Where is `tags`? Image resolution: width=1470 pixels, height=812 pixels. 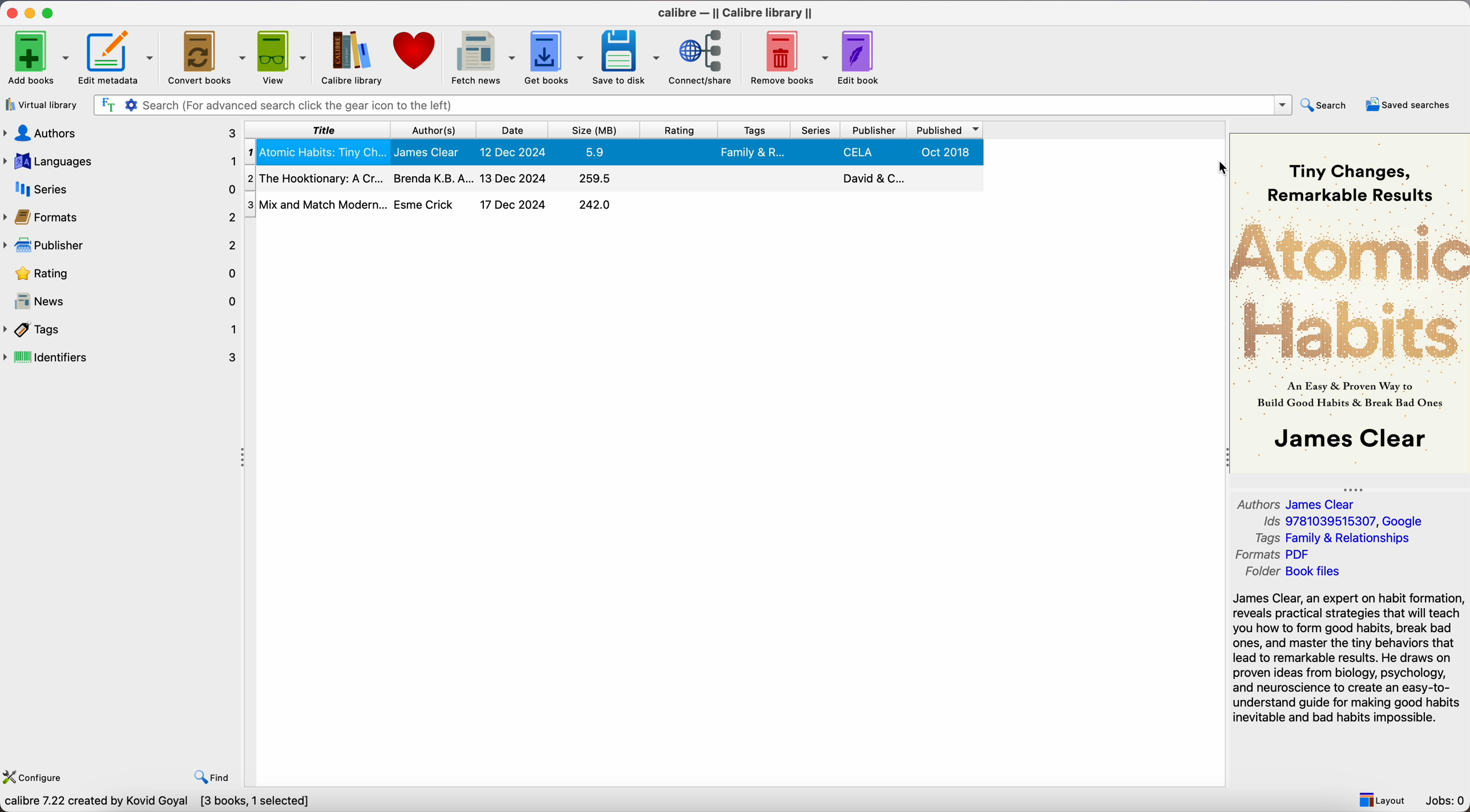 tags is located at coordinates (754, 130).